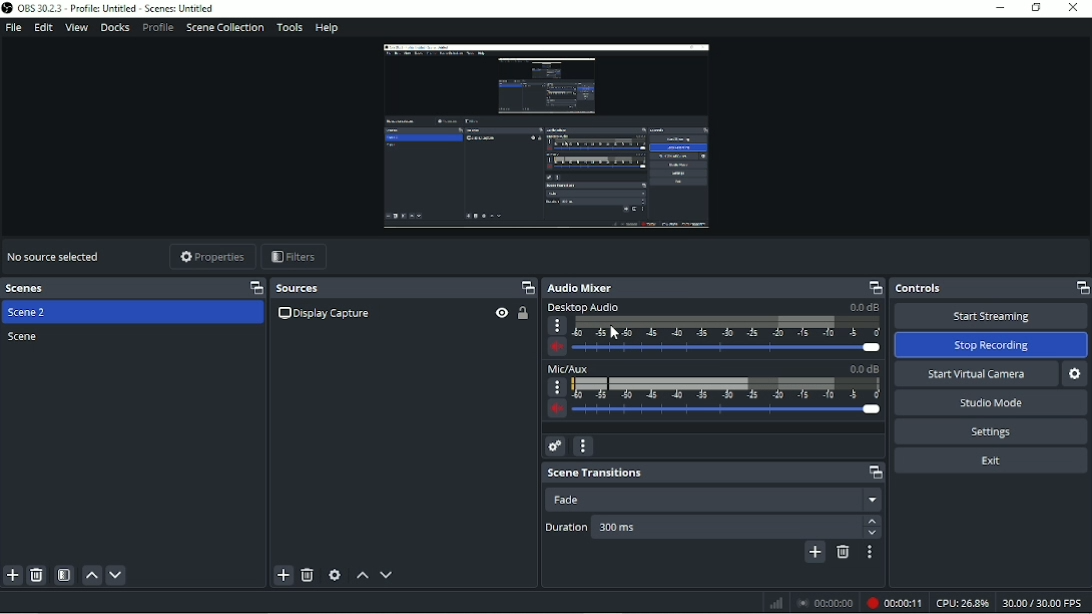 This screenshot has height=614, width=1092. I want to click on Filters, so click(294, 256).